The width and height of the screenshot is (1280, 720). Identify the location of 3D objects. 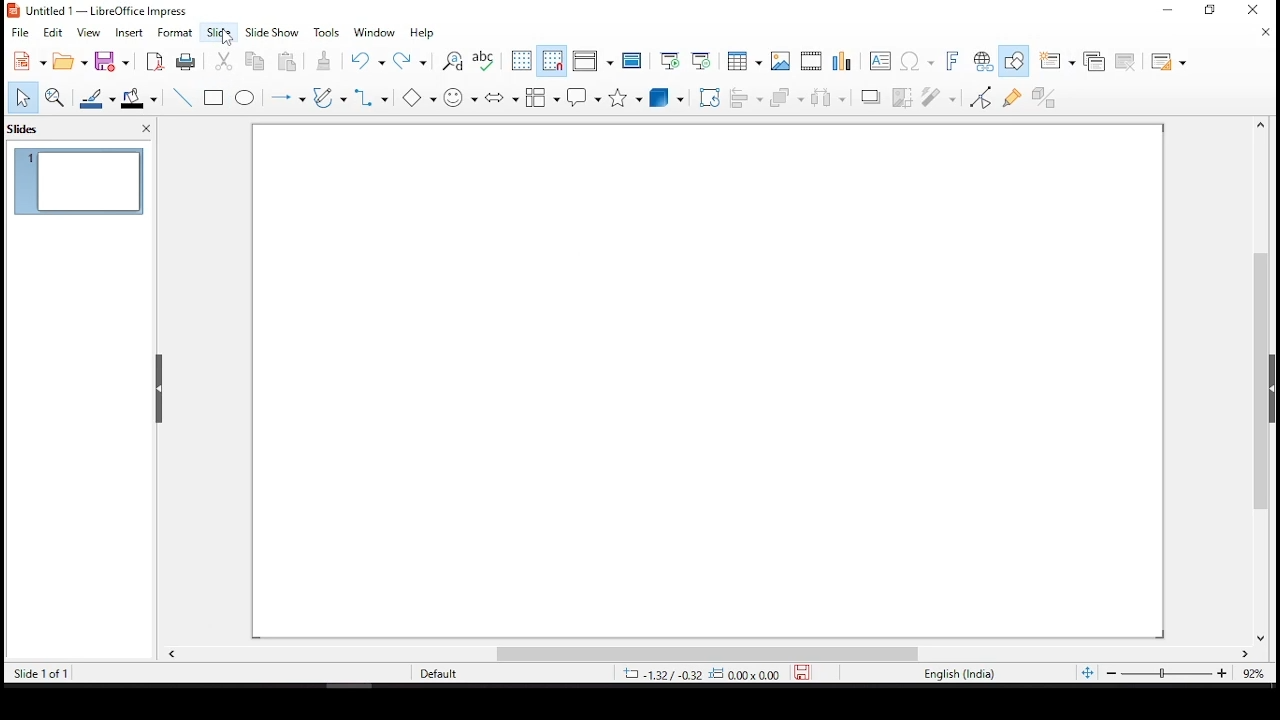
(667, 96).